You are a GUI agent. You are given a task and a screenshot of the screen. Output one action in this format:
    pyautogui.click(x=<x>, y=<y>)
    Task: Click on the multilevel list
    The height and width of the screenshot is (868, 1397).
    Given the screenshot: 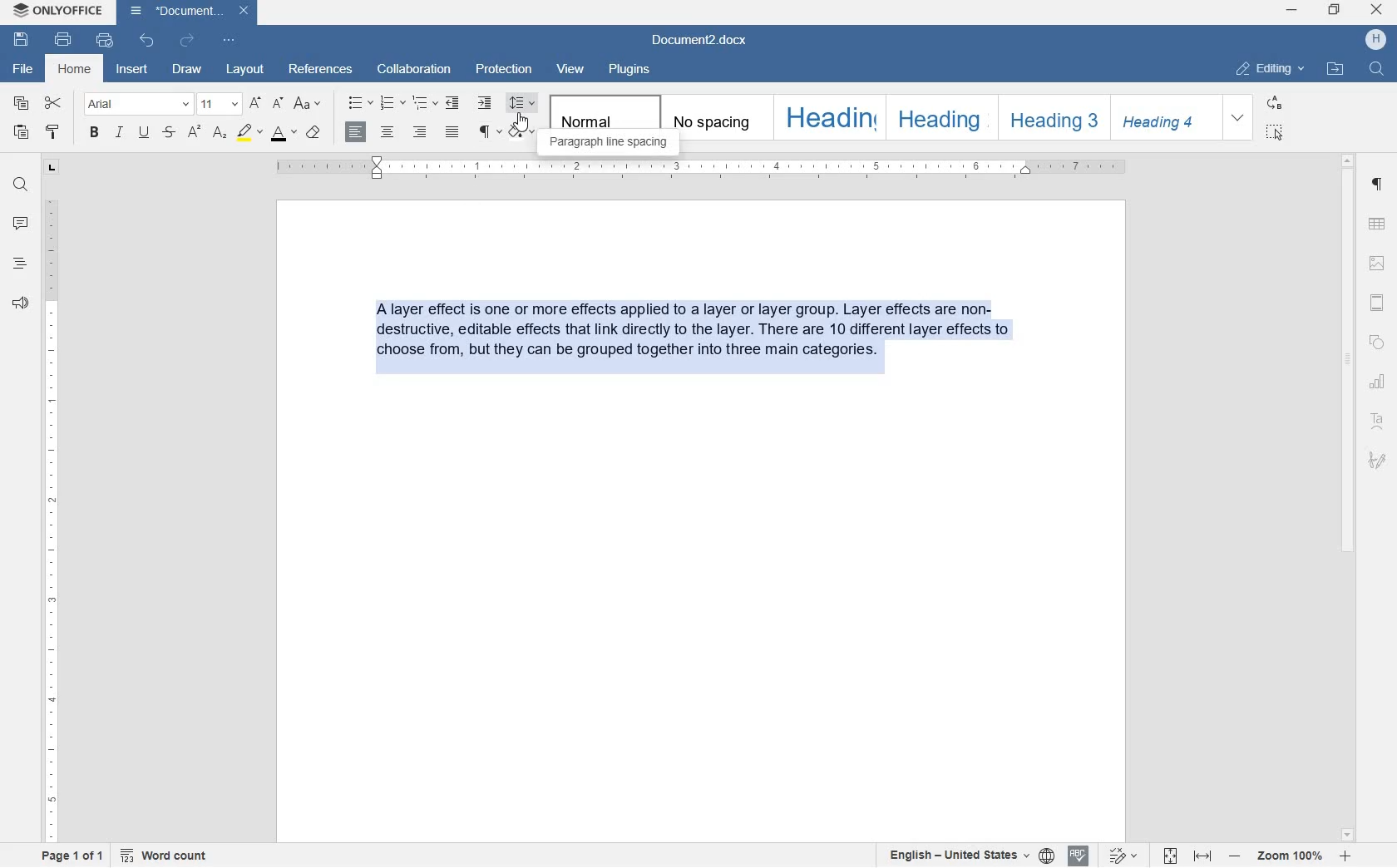 What is the action you would take?
    pyautogui.click(x=423, y=104)
    